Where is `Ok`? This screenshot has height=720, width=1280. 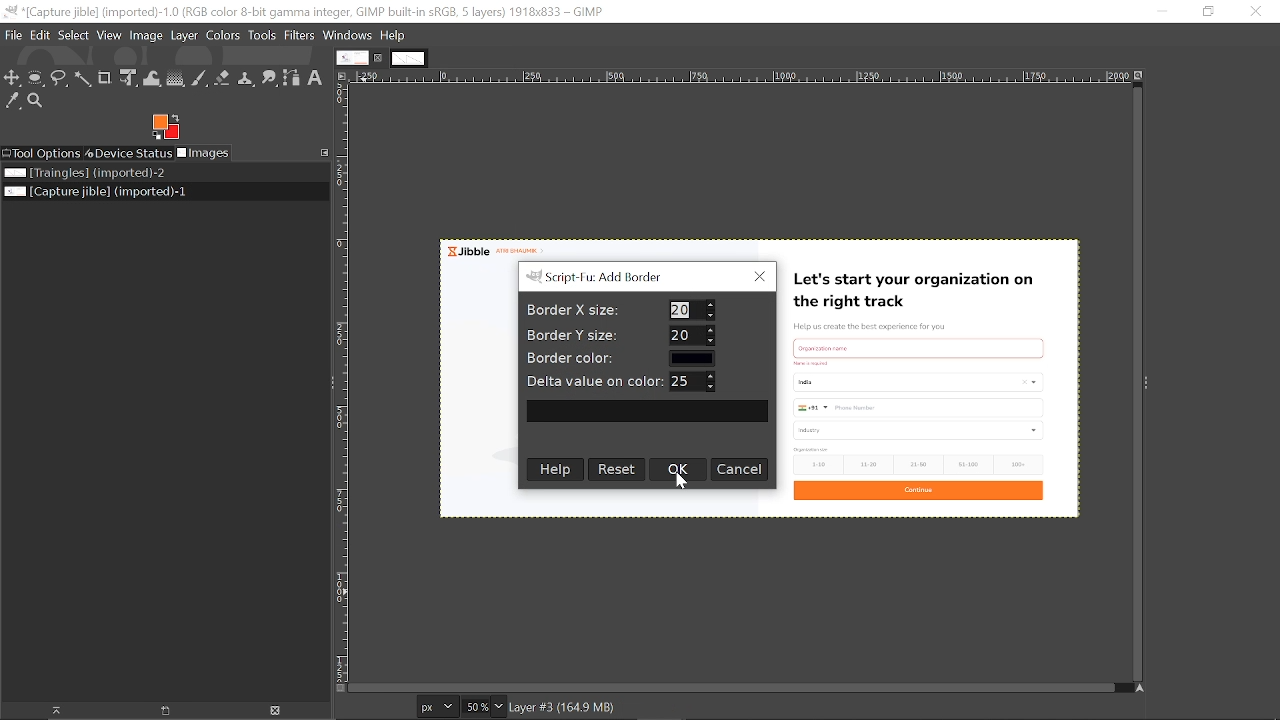 Ok is located at coordinates (678, 469).